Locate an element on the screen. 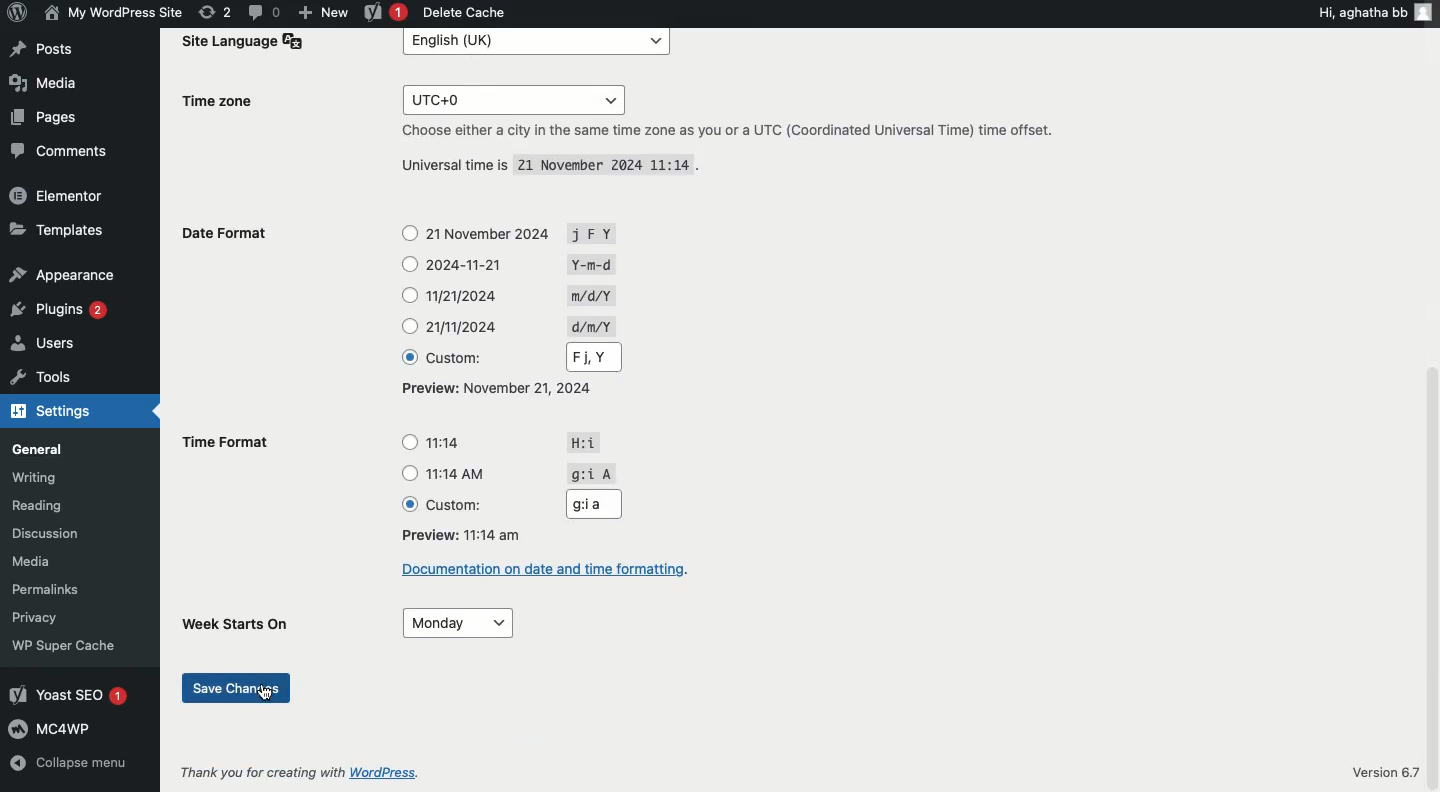  Revision is located at coordinates (215, 12).